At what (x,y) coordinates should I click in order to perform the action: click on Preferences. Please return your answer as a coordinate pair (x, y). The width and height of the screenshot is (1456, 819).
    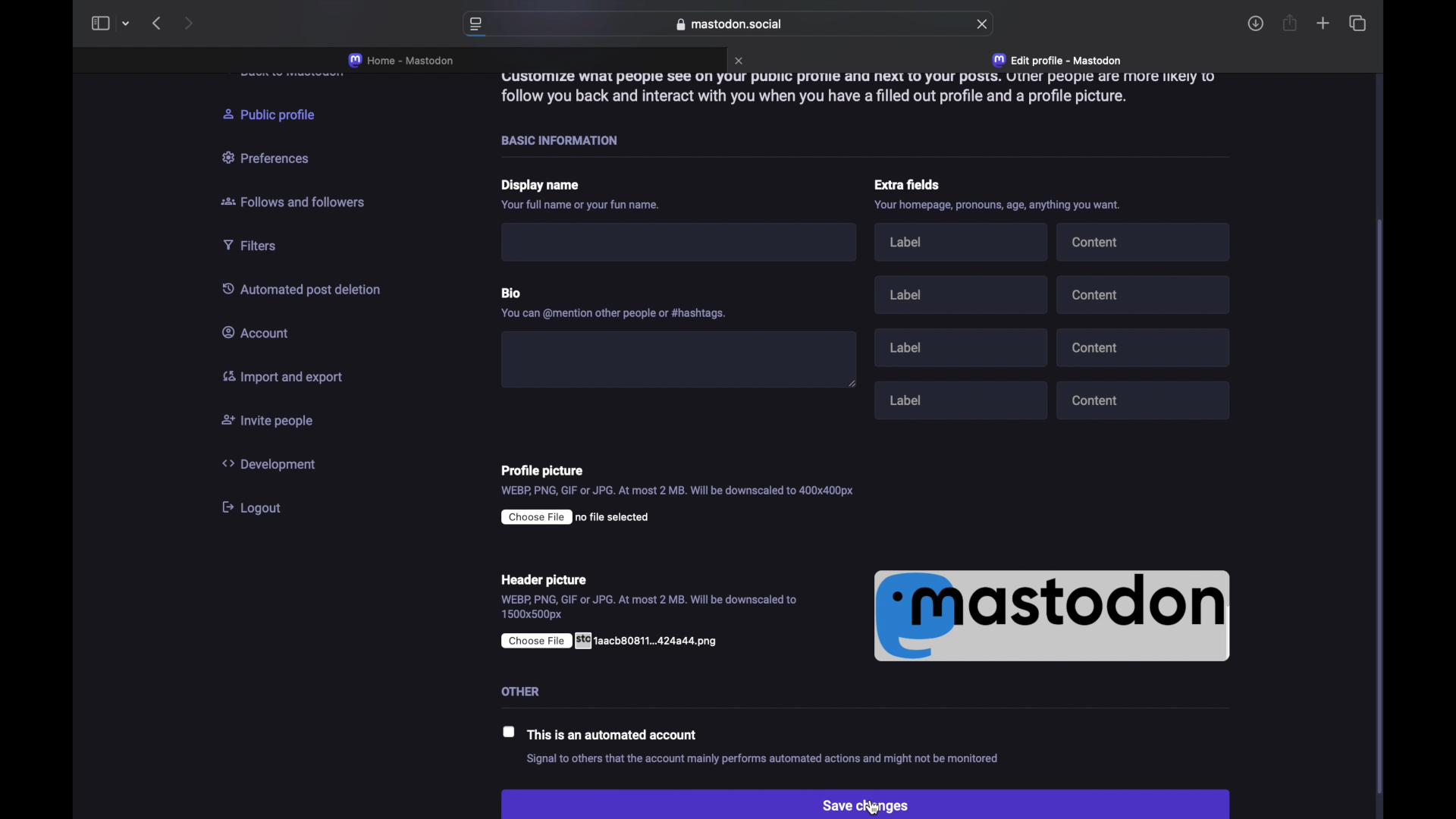
    Looking at the image, I should click on (275, 158).